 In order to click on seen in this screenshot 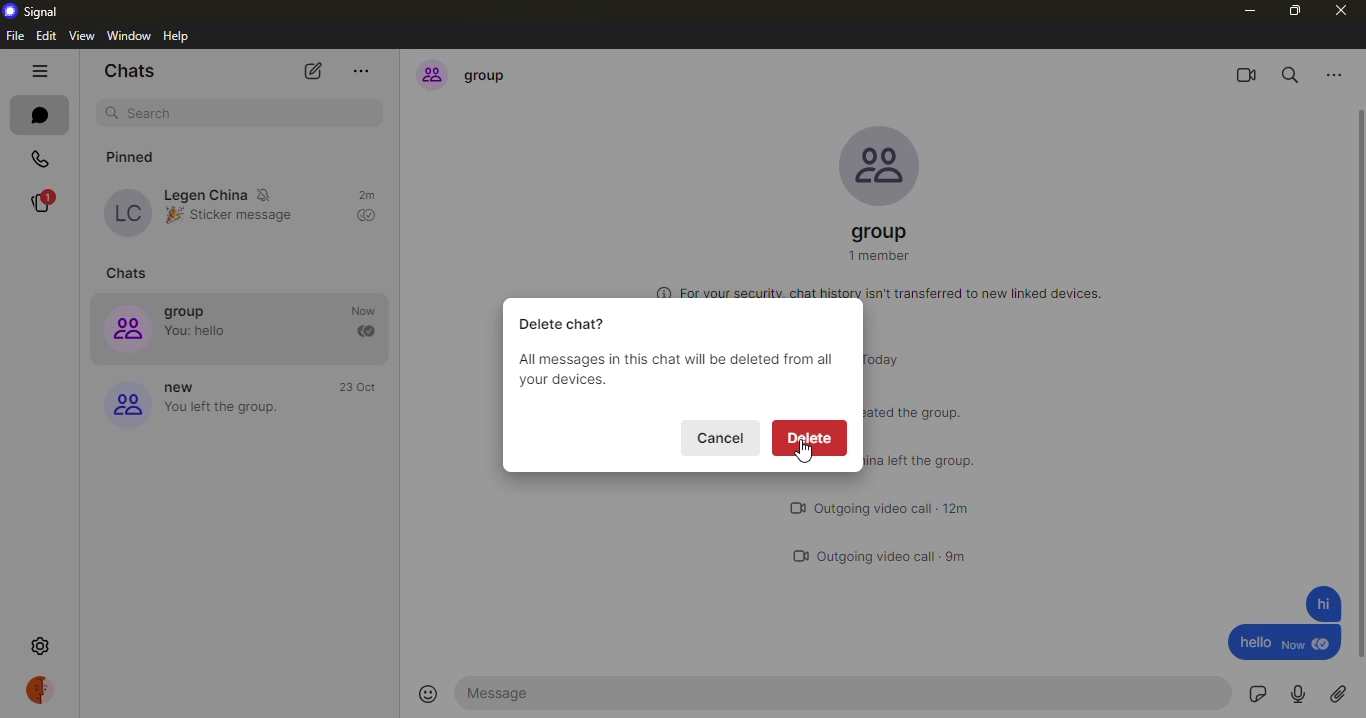, I will do `click(1328, 647)`.